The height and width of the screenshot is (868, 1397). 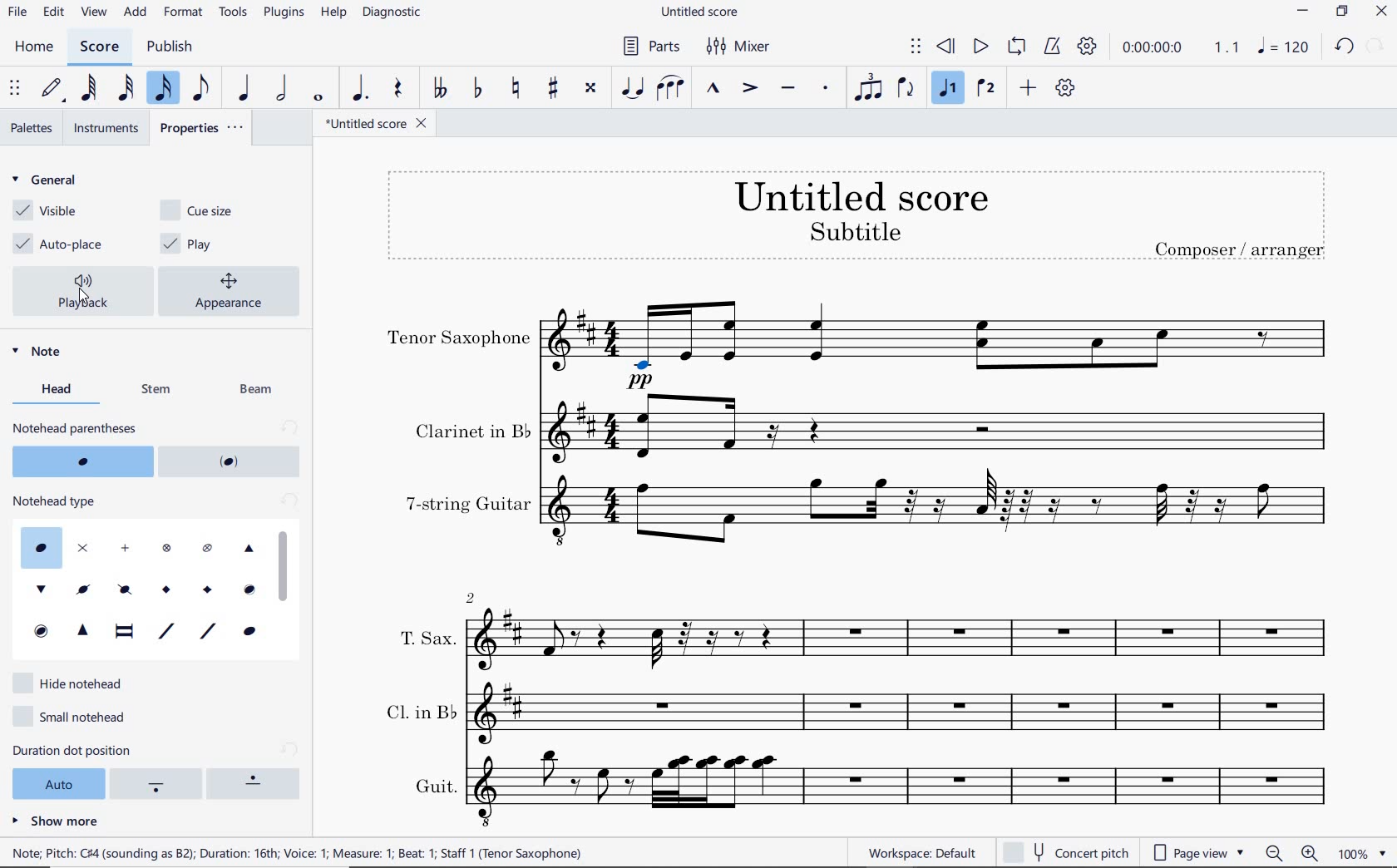 What do you see at coordinates (1179, 49) in the screenshot?
I see `PLAY TIME` at bounding box center [1179, 49].